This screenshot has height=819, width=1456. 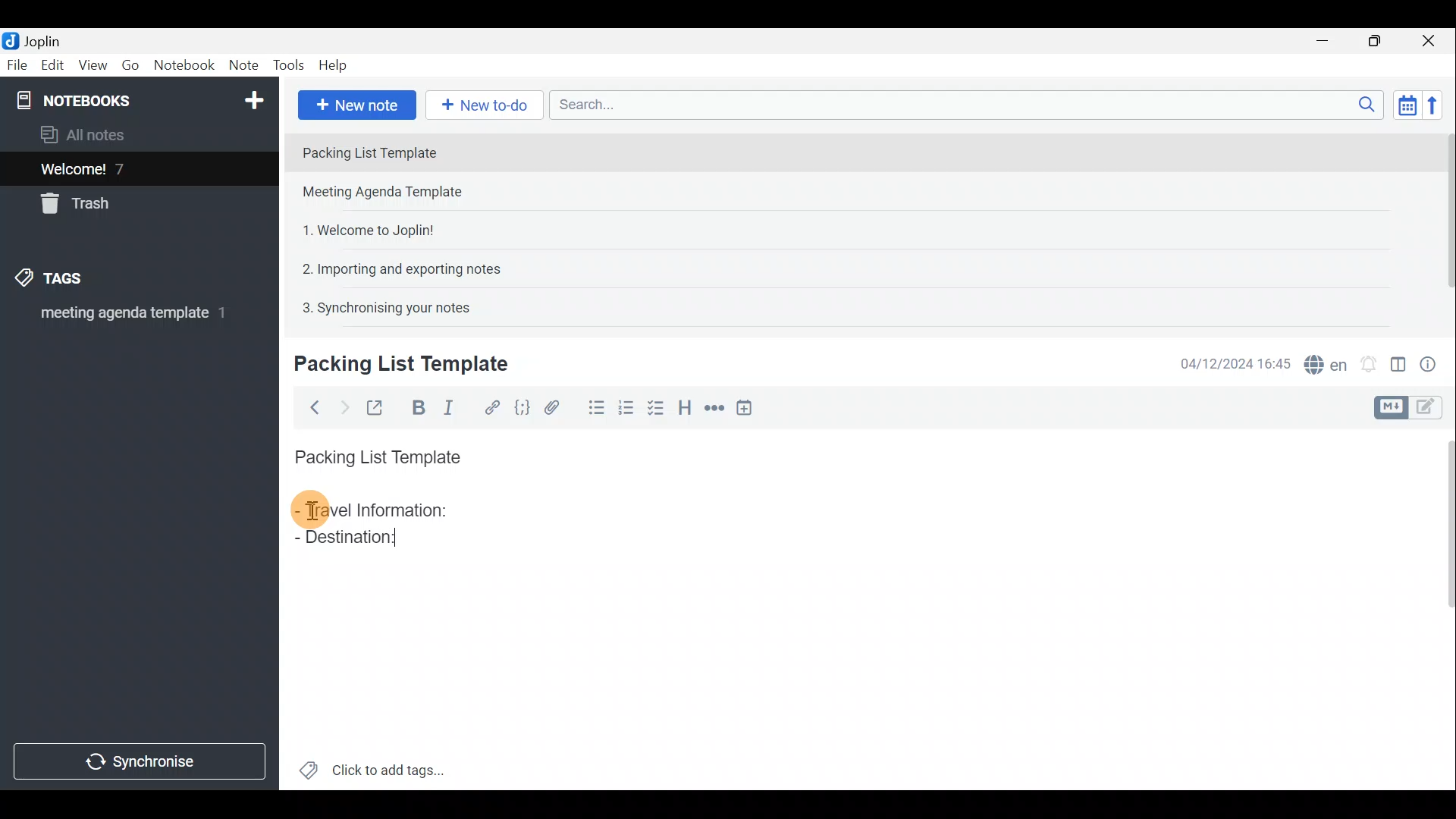 I want to click on Back, so click(x=312, y=407).